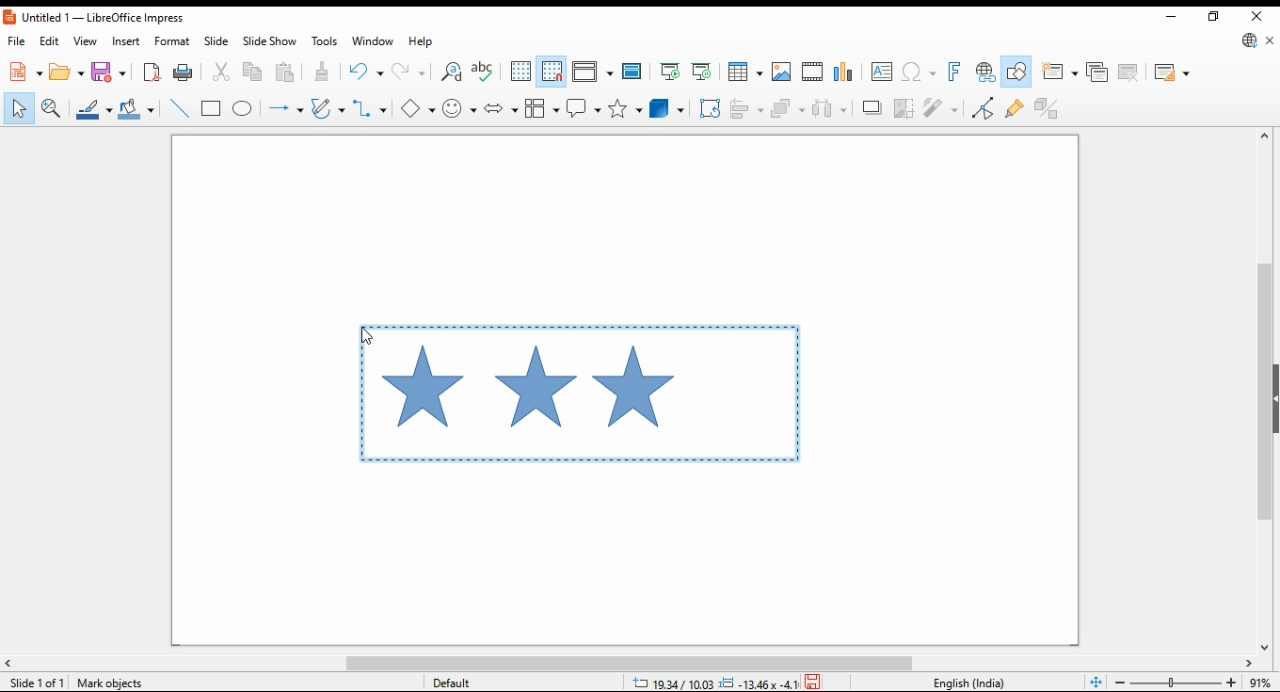 The width and height of the screenshot is (1280, 692). What do you see at coordinates (1059, 72) in the screenshot?
I see `new slide` at bounding box center [1059, 72].